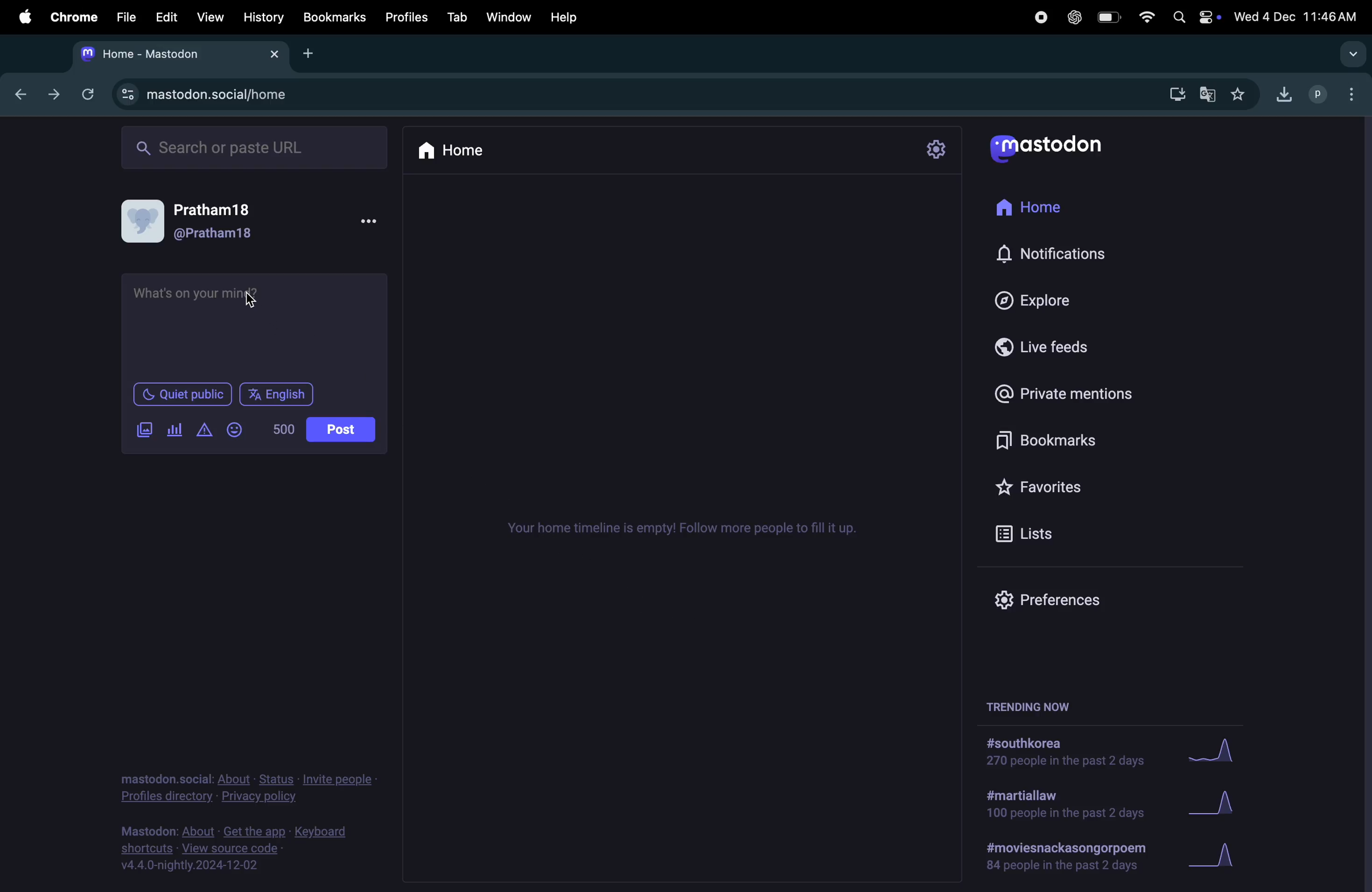 The width and height of the screenshot is (1372, 892). What do you see at coordinates (244, 848) in the screenshot?
I see `source code` at bounding box center [244, 848].